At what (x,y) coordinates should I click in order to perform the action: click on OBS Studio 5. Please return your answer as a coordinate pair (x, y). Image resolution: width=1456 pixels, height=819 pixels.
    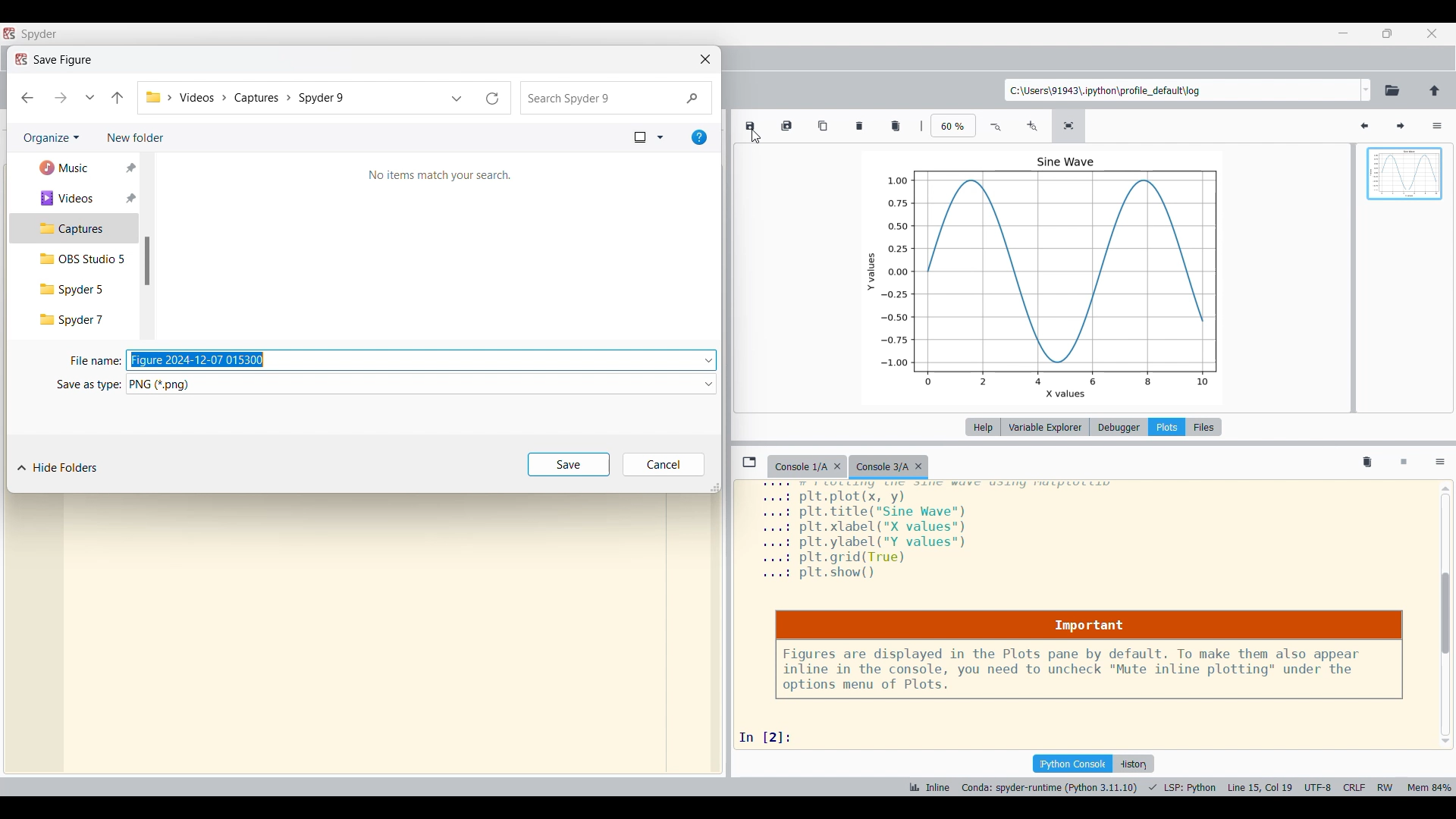
    Looking at the image, I should click on (74, 259).